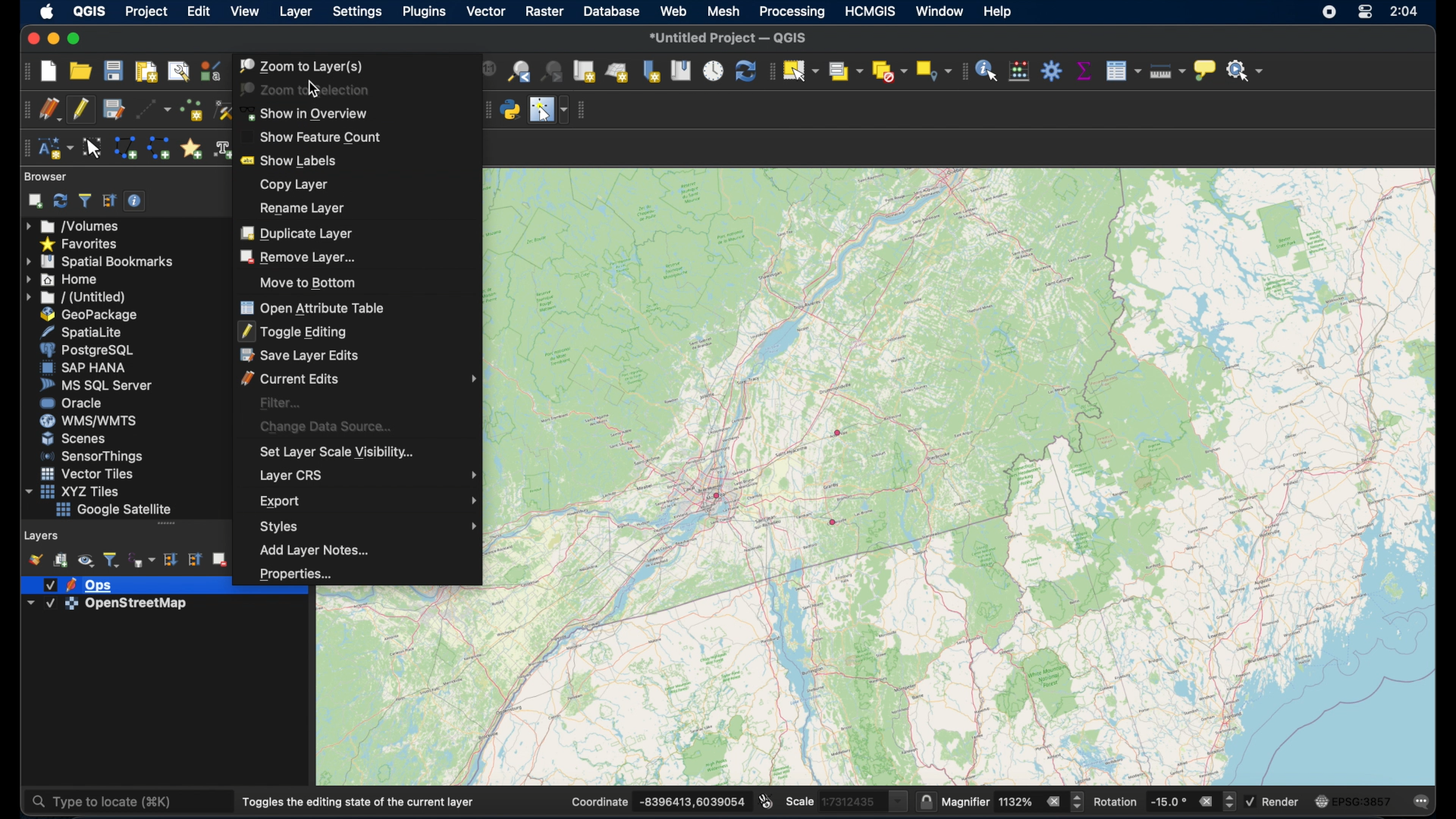 This screenshot has height=819, width=1456. What do you see at coordinates (1068, 657) in the screenshot?
I see `open street map` at bounding box center [1068, 657].